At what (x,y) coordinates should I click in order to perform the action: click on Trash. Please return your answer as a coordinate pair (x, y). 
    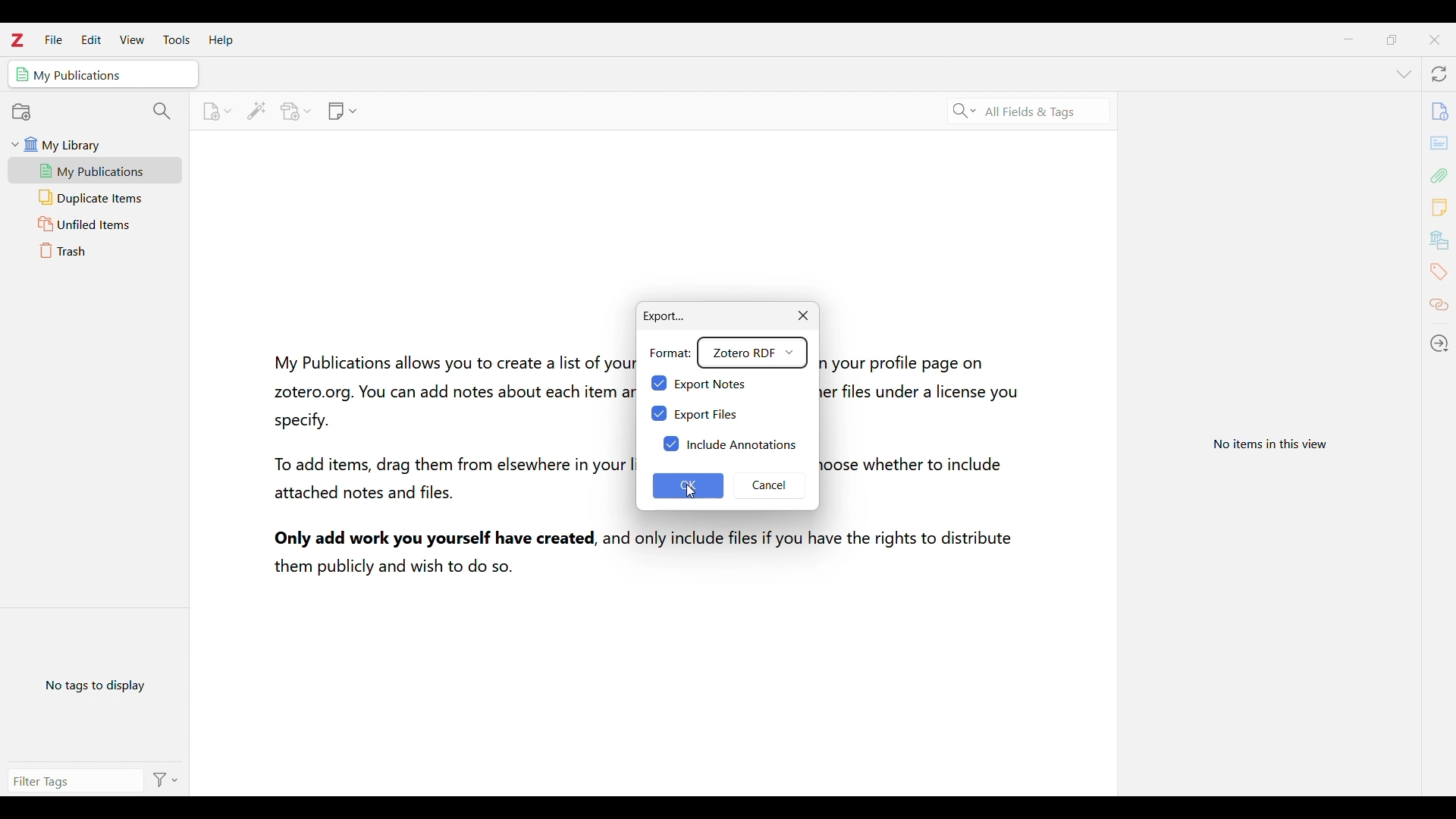
    Looking at the image, I should click on (96, 250).